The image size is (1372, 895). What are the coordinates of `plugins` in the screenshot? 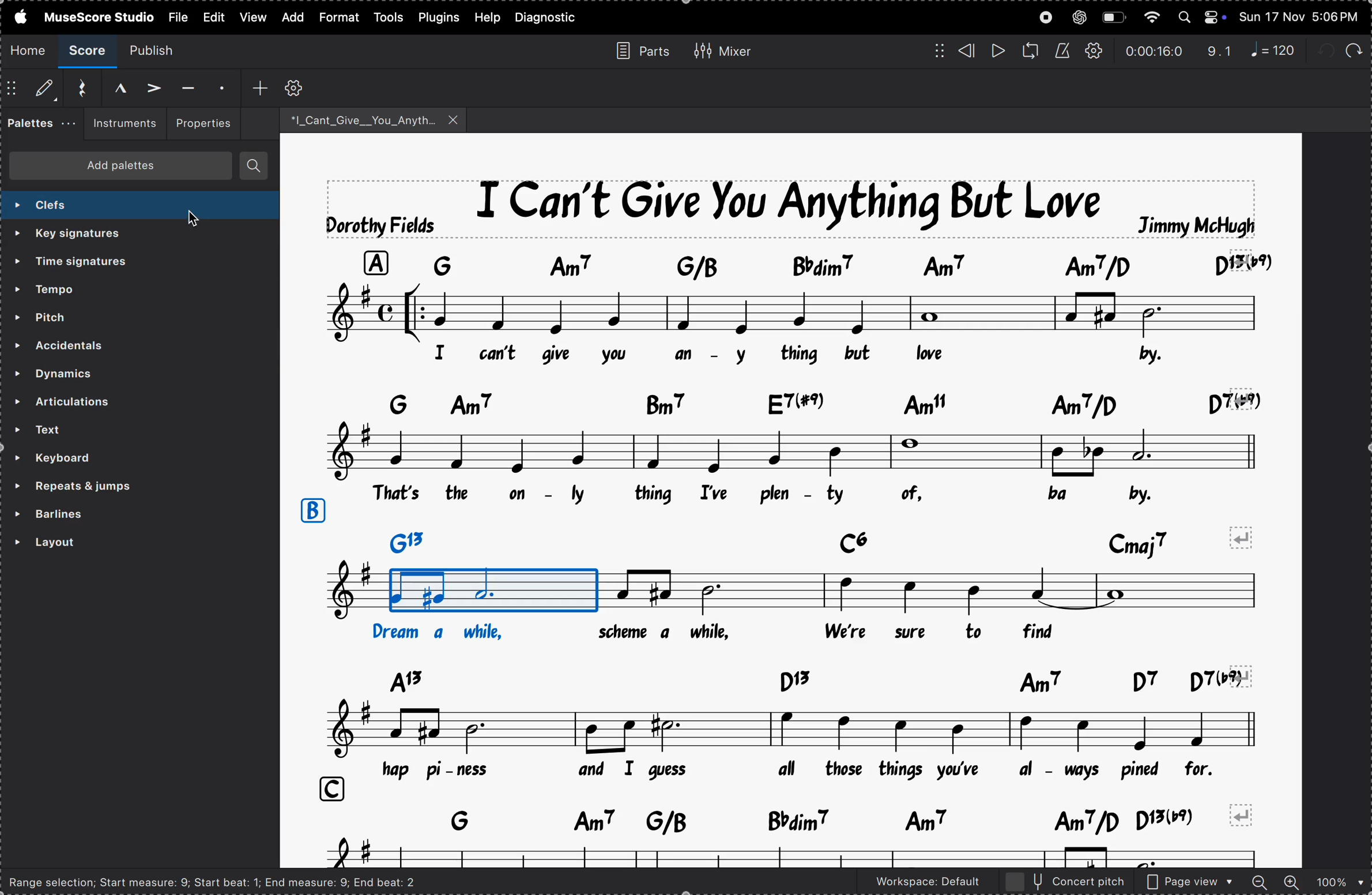 It's located at (439, 17).